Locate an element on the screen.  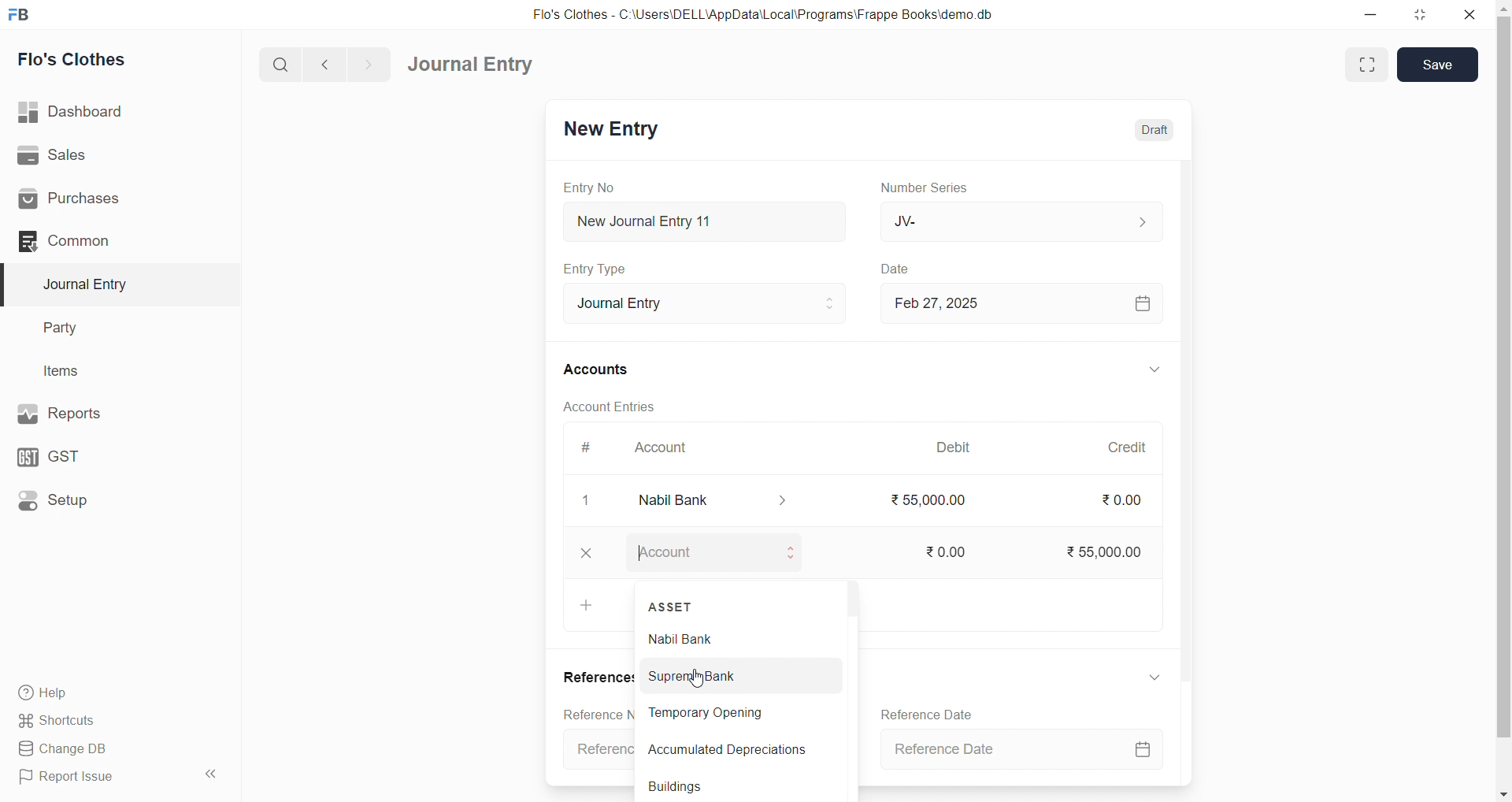
Nabil Bank is located at coordinates (738, 638).